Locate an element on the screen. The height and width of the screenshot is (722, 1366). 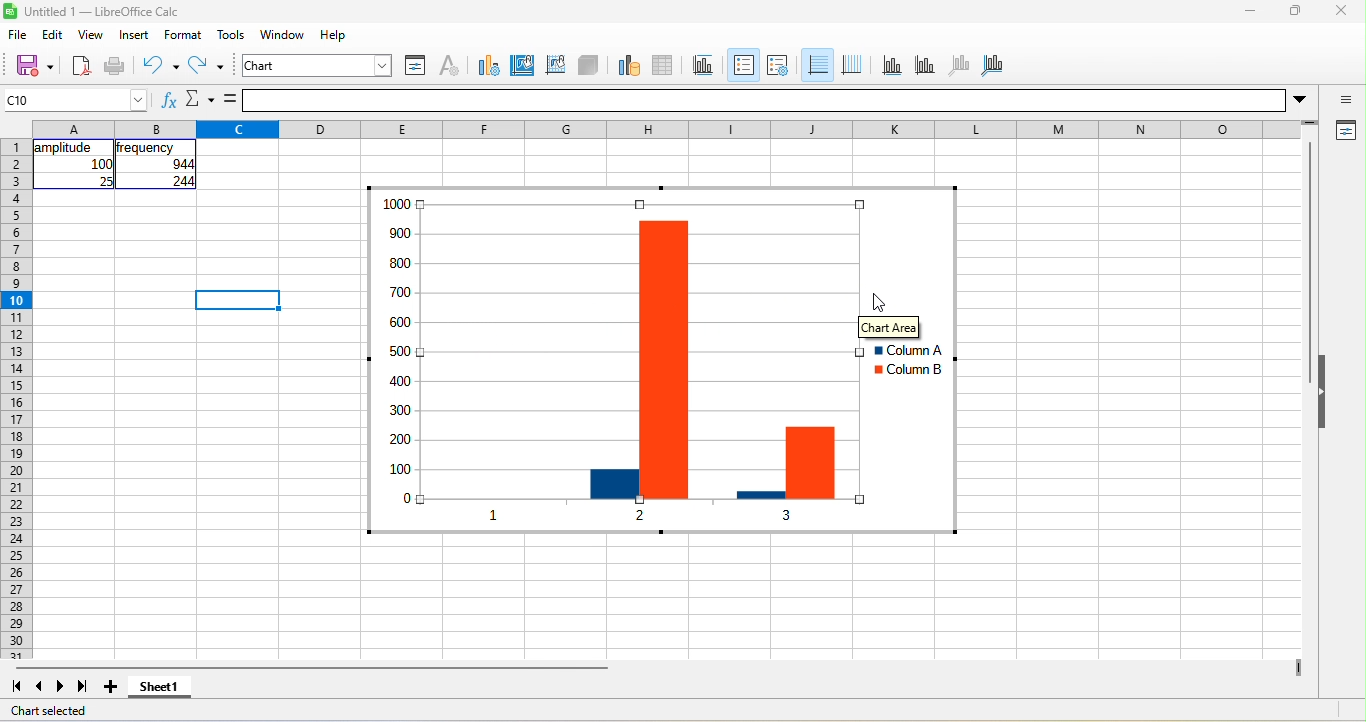
z axis is located at coordinates (957, 64).